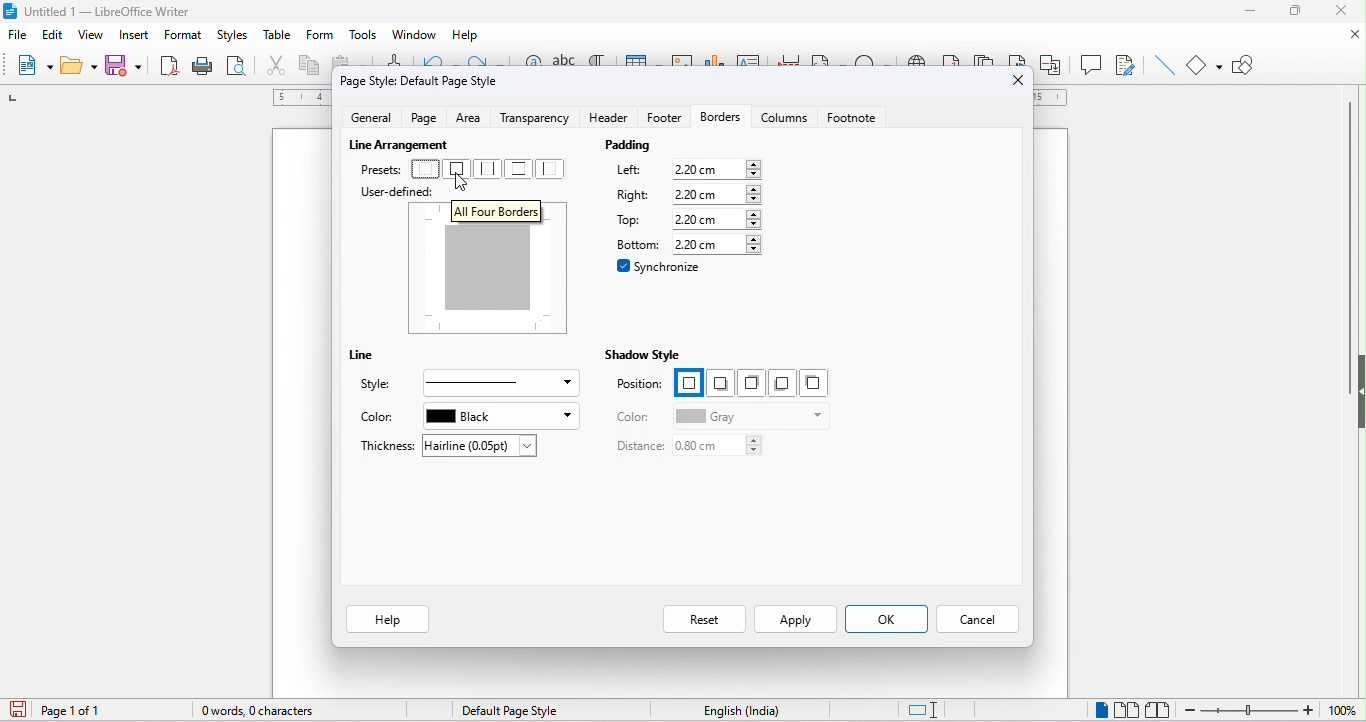  What do you see at coordinates (858, 121) in the screenshot?
I see `footnote` at bounding box center [858, 121].